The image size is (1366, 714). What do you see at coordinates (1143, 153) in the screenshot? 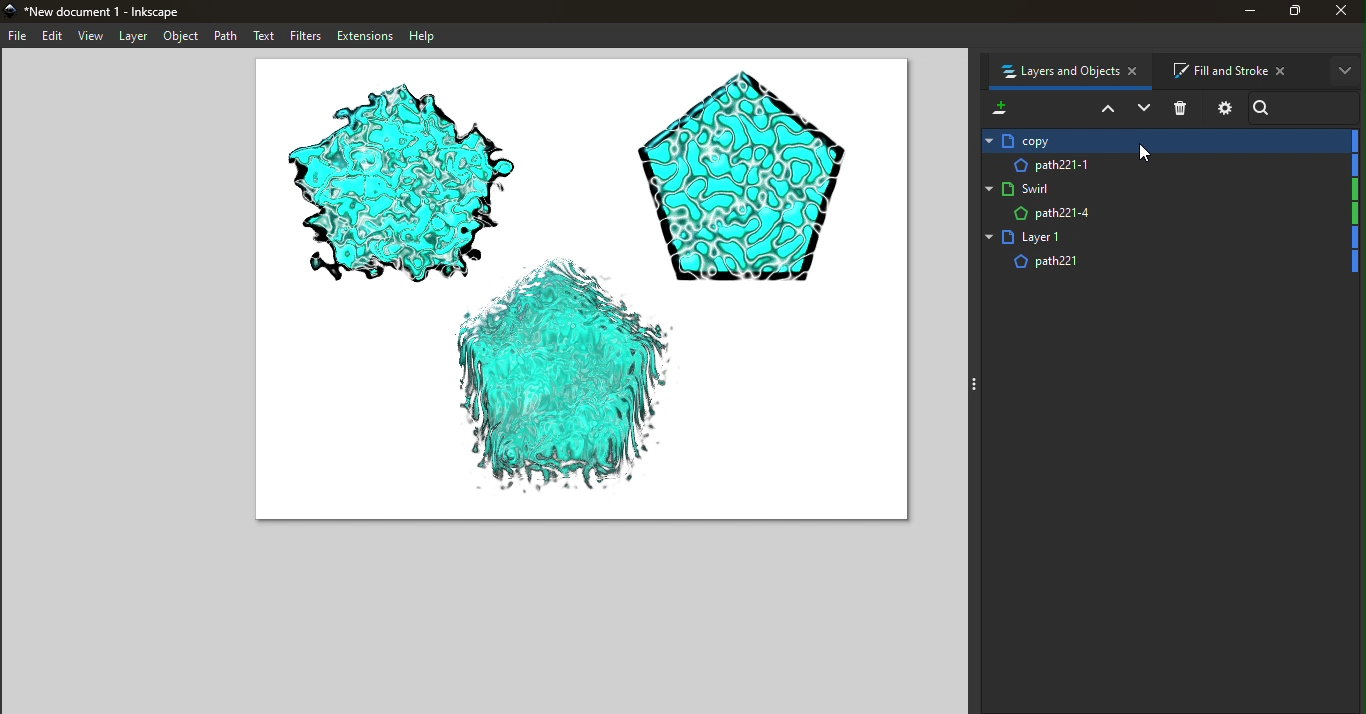
I see `cursor` at bounding box center [1143, 153].